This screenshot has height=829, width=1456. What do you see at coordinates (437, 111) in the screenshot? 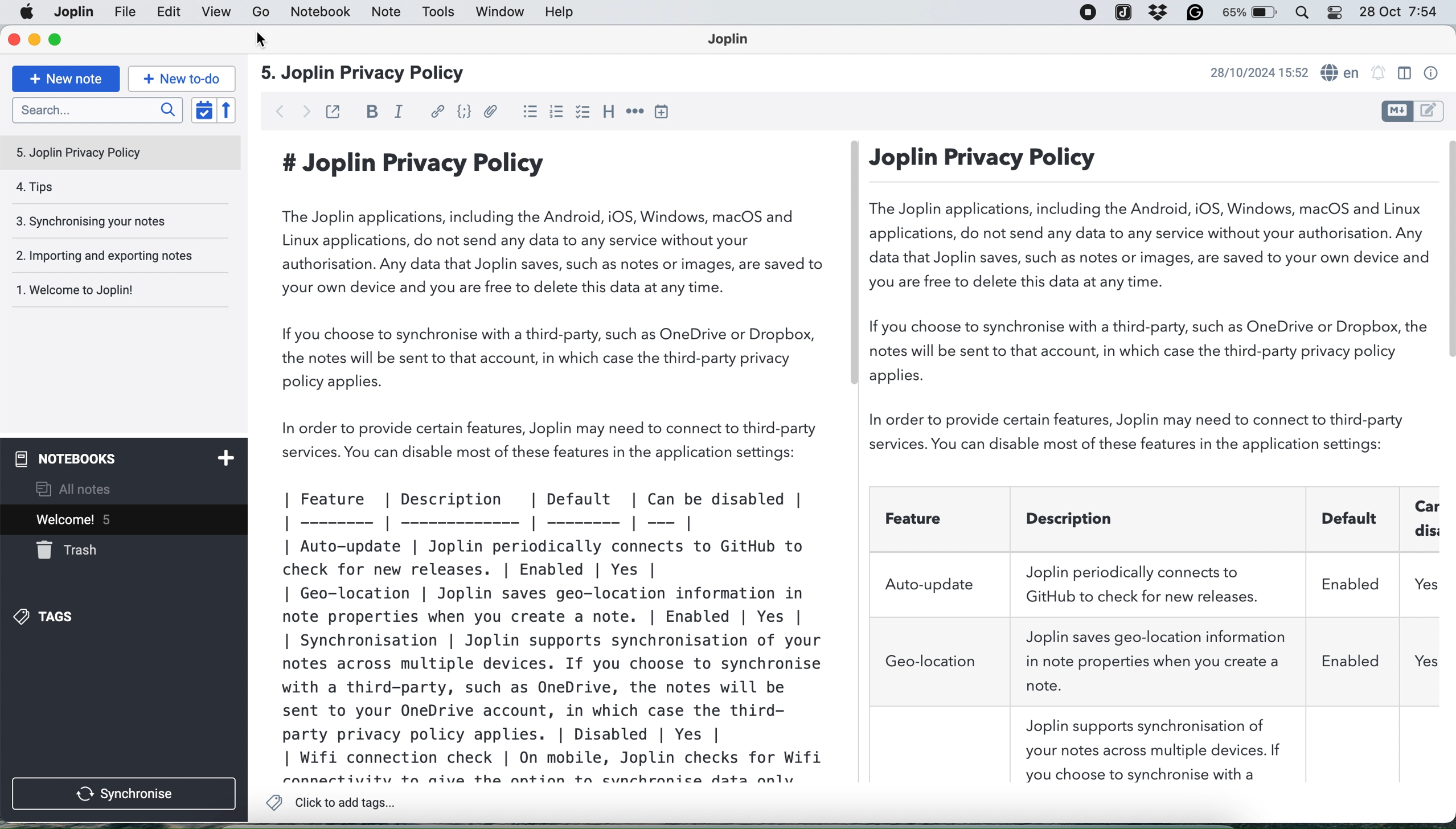
I see `hyperlink` at bounding box center [437, 111].